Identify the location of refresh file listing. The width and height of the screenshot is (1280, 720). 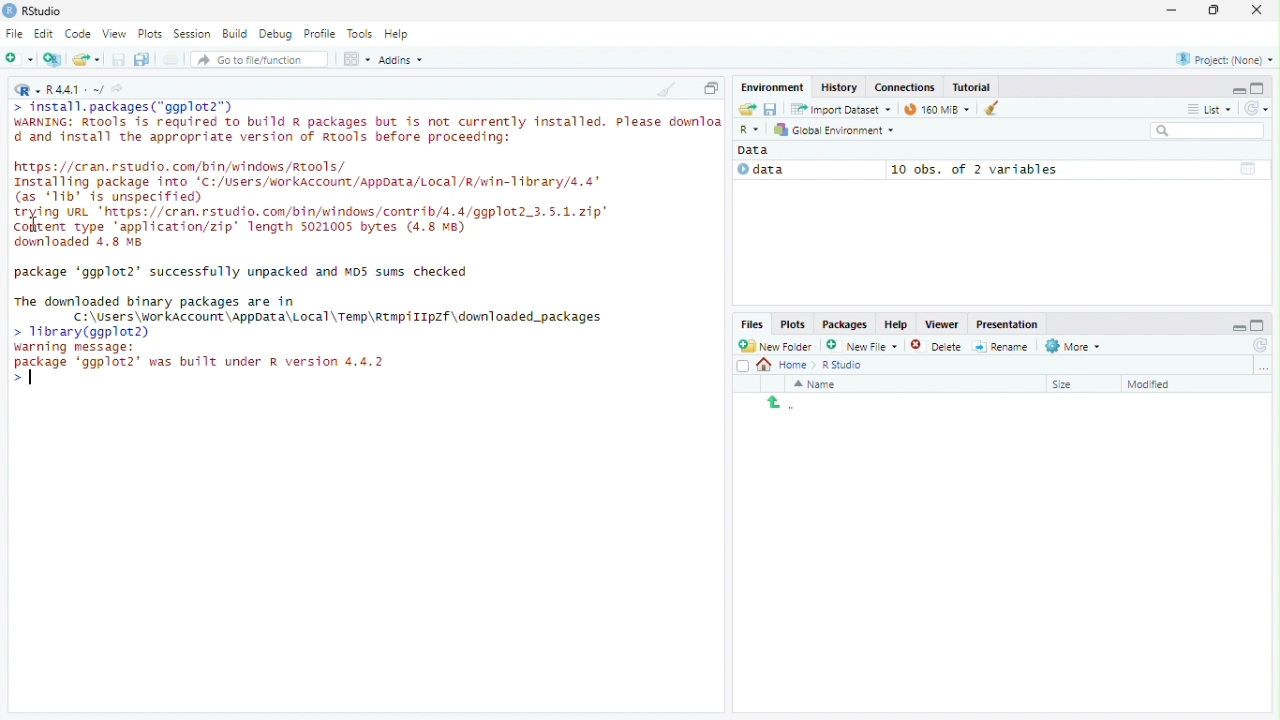
(1261, 346).